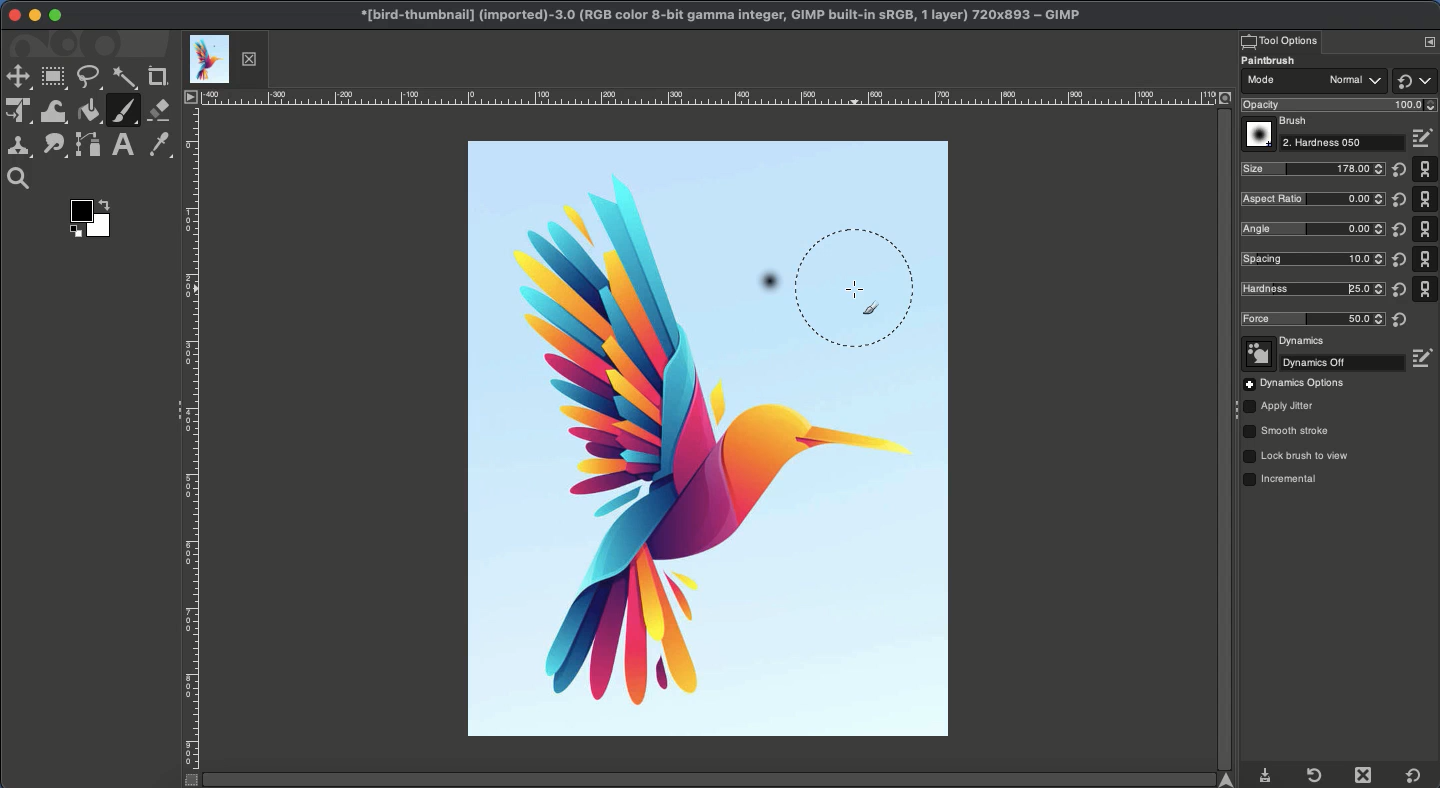 Image resolution: width=1440 pixels, height=788 pixels. I want to click on Lock , so click(1297, 456).